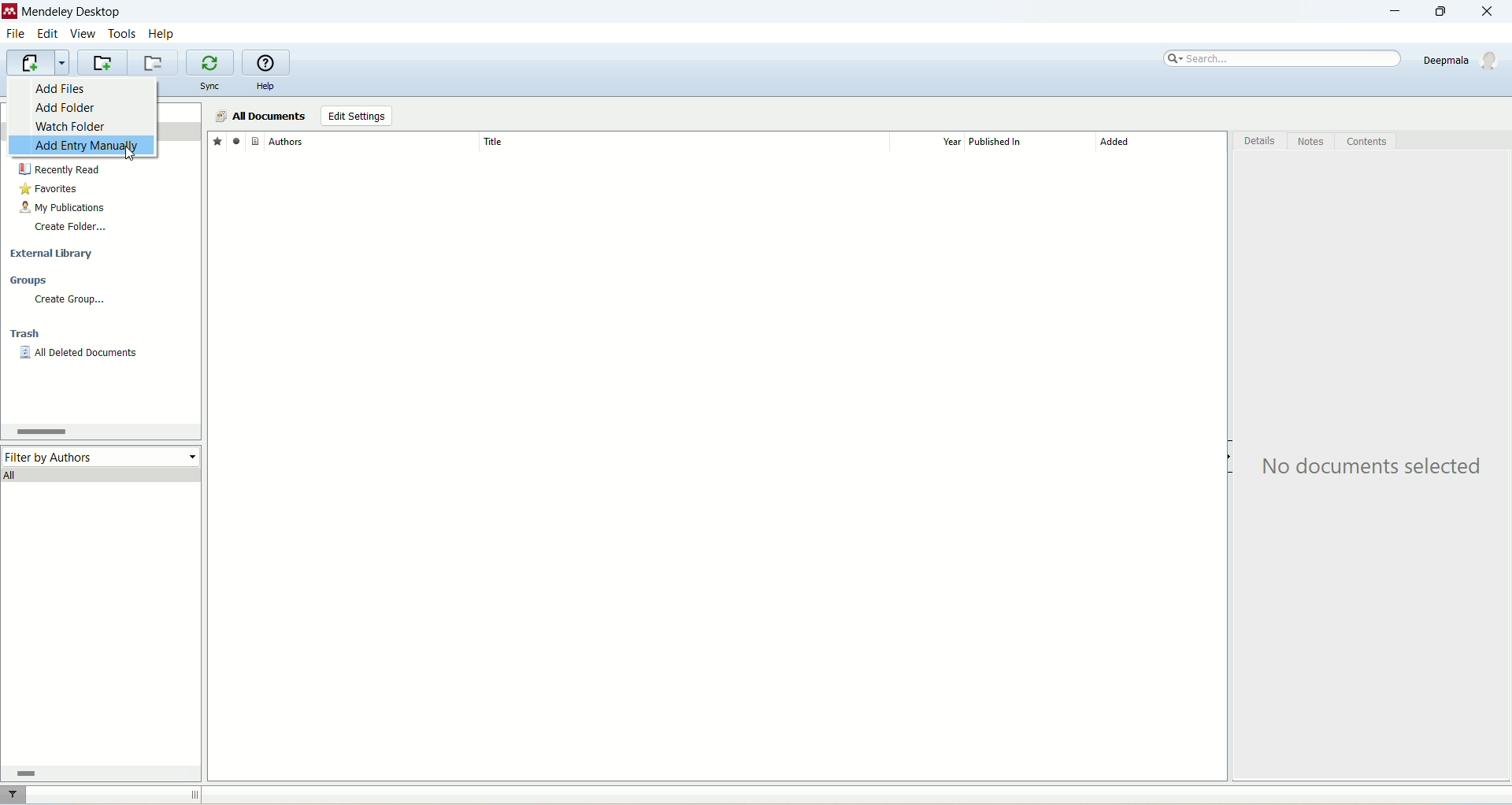  Describe the element at coordinates (15, 795) in the screenshot. I see `filter` at that location.